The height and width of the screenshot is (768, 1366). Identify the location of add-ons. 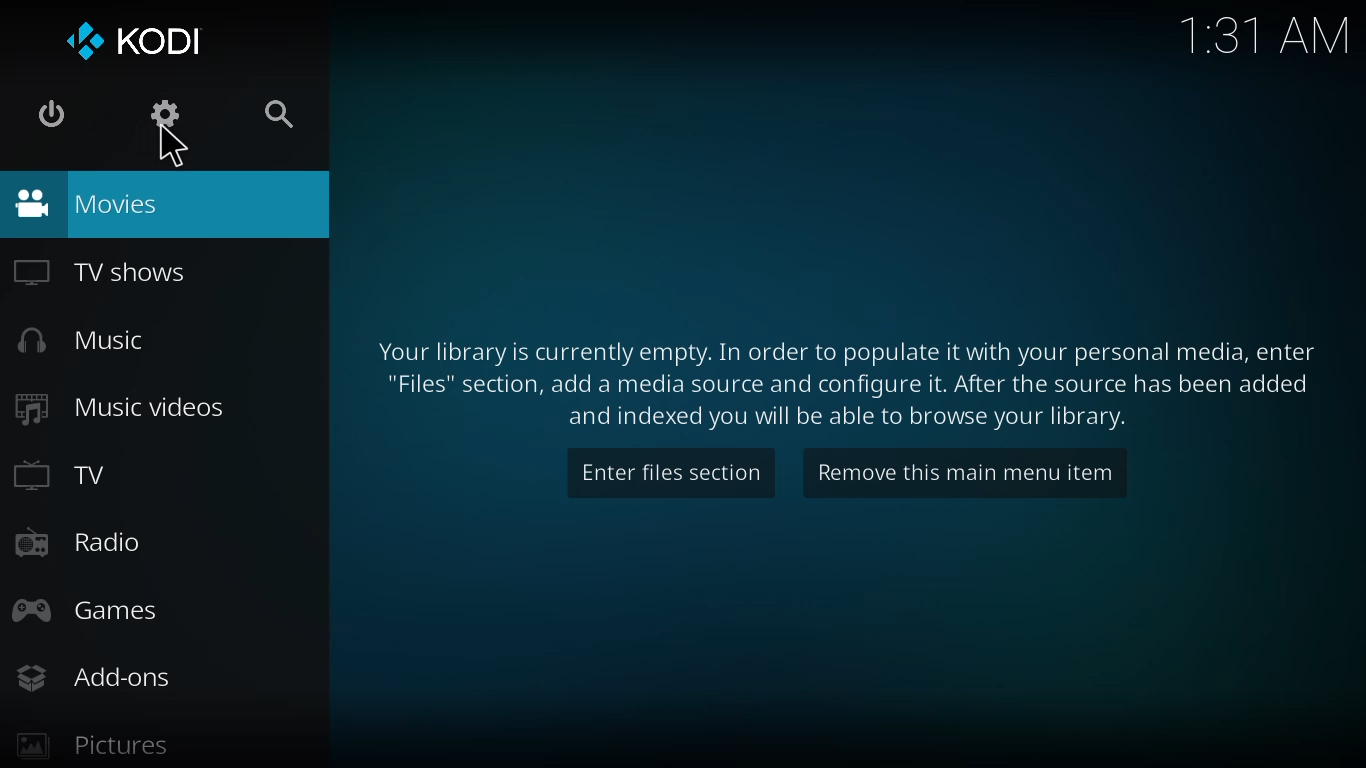
(98, 678).